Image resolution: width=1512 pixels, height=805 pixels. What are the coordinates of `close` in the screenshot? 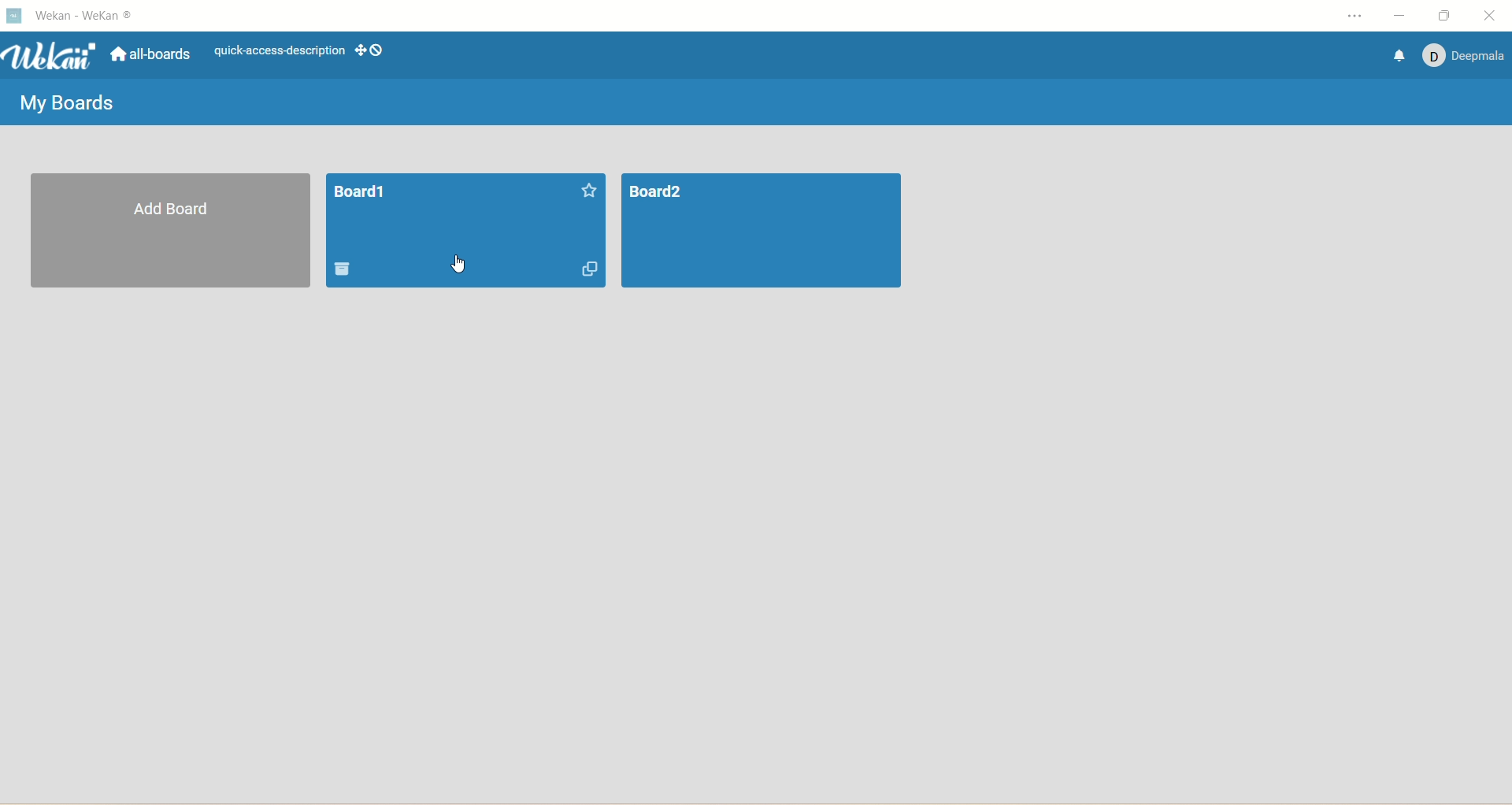 It's located at (1492, 15).